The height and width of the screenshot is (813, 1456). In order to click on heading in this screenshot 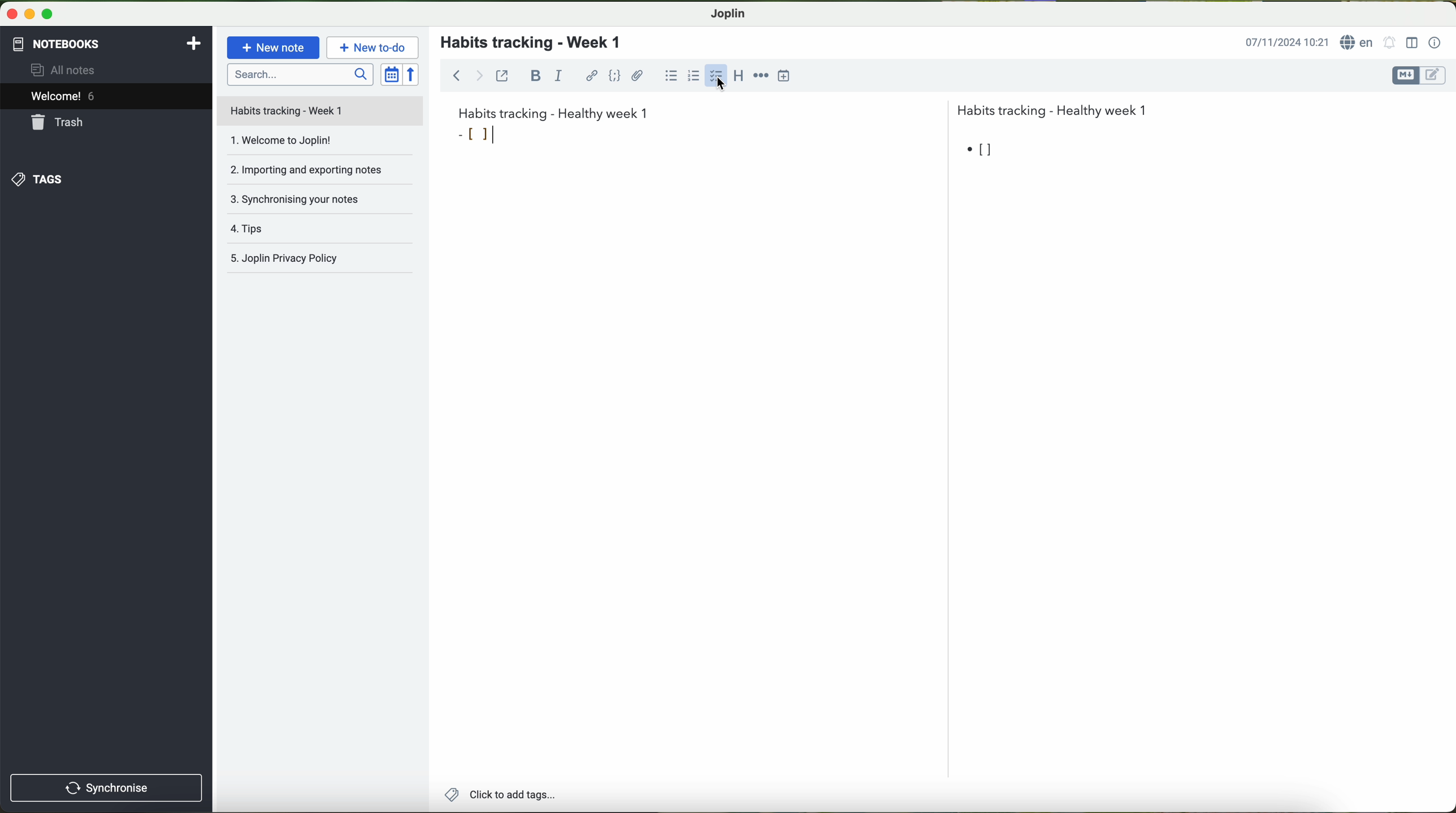, I will do `click(740, 79)`.